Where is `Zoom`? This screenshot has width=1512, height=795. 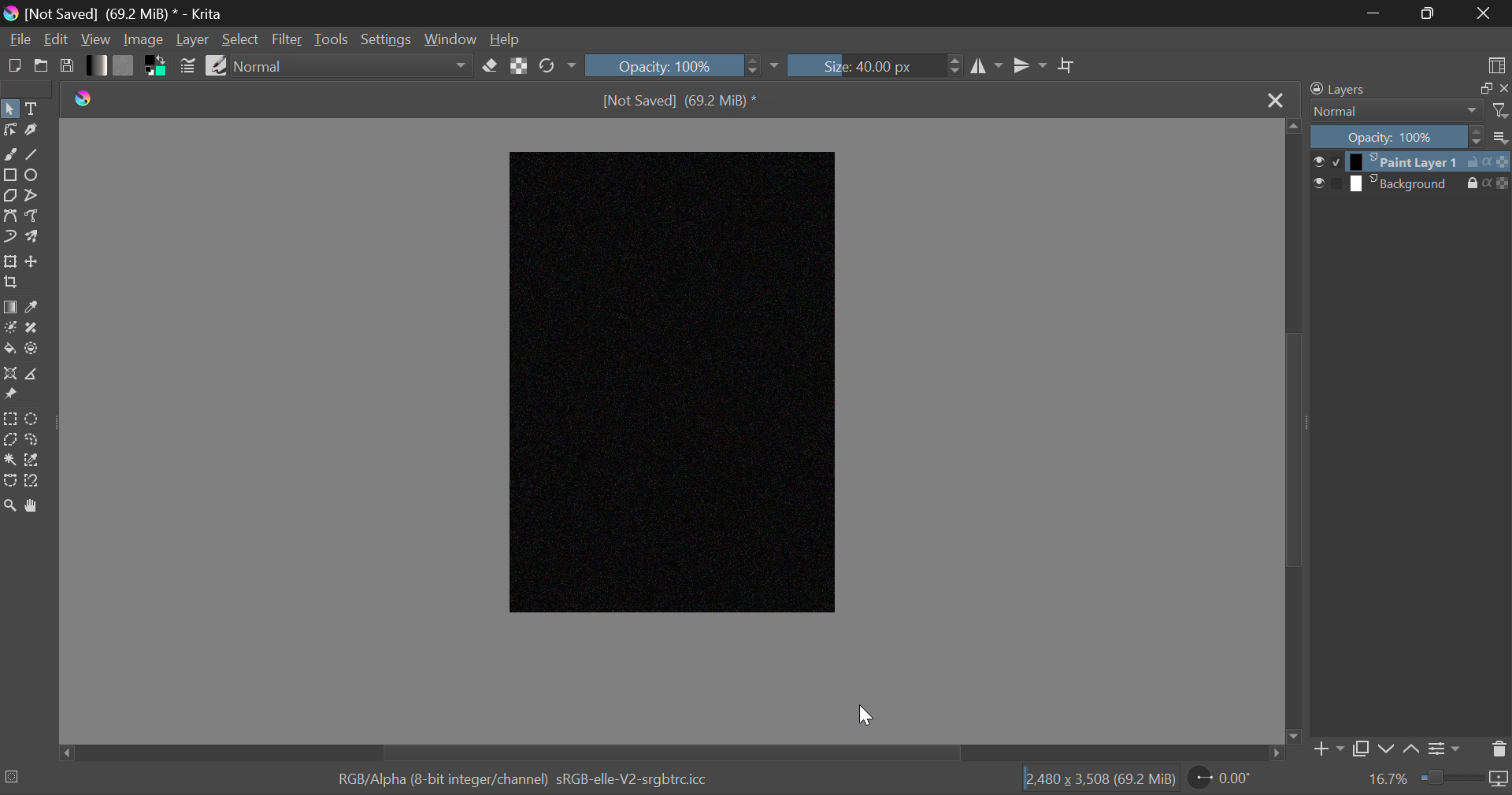
Zoom is located at coordinates (11, 505).